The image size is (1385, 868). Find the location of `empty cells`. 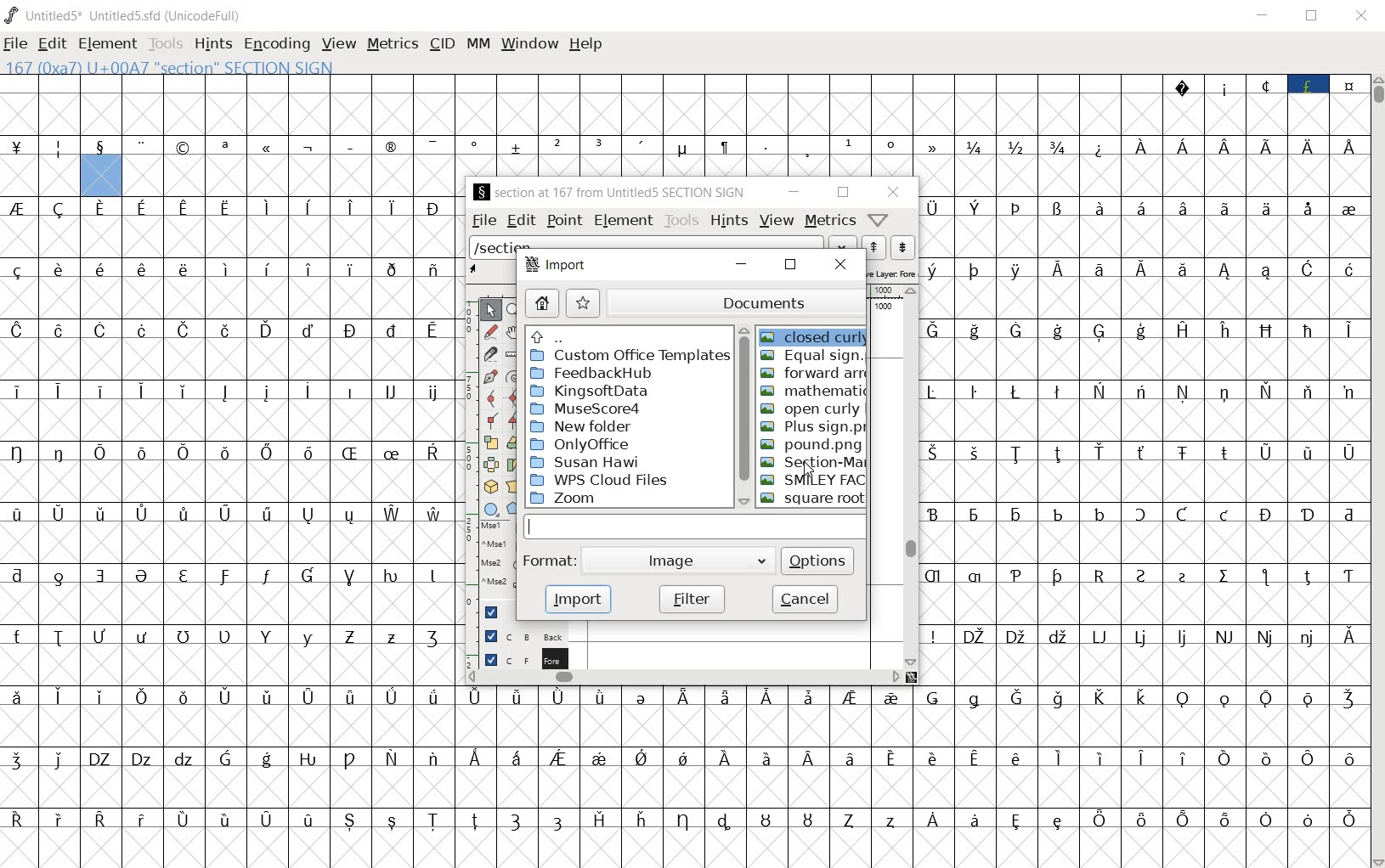

empty cells is located at coordinates (1140, 238).